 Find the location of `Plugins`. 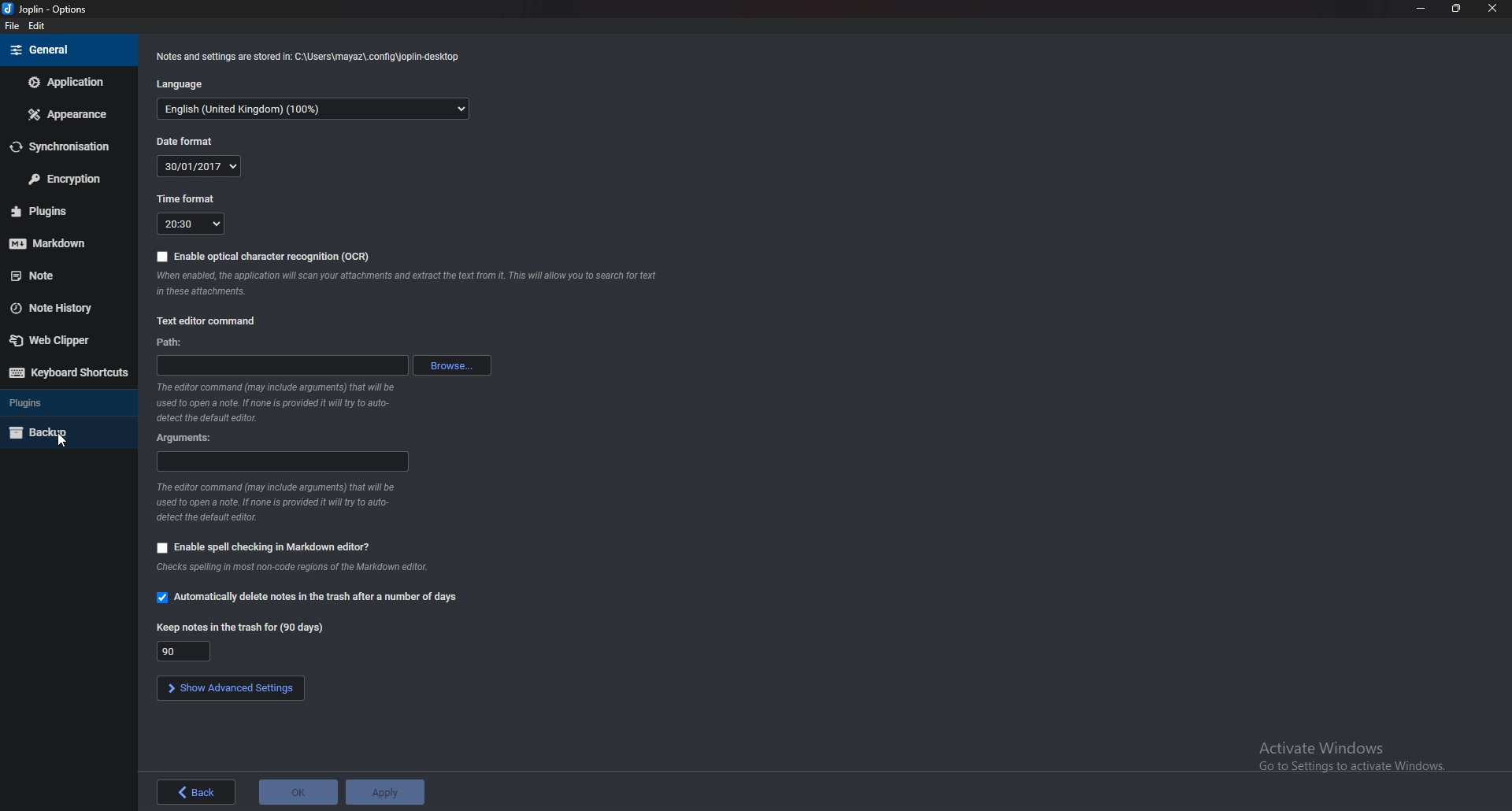

Plugins is located at coordinates (65, 402).